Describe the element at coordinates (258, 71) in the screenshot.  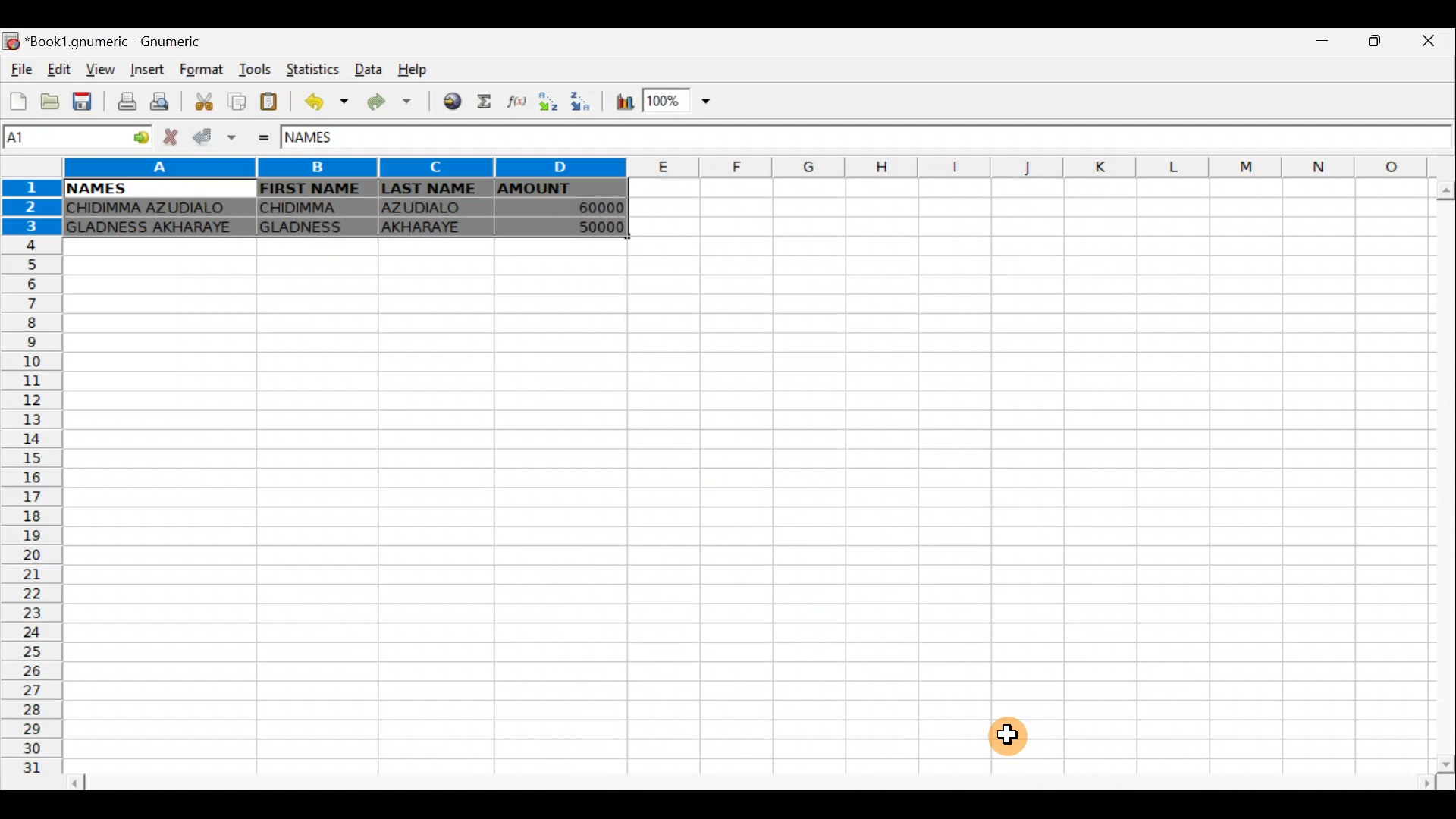
I see `Tools` at that location.